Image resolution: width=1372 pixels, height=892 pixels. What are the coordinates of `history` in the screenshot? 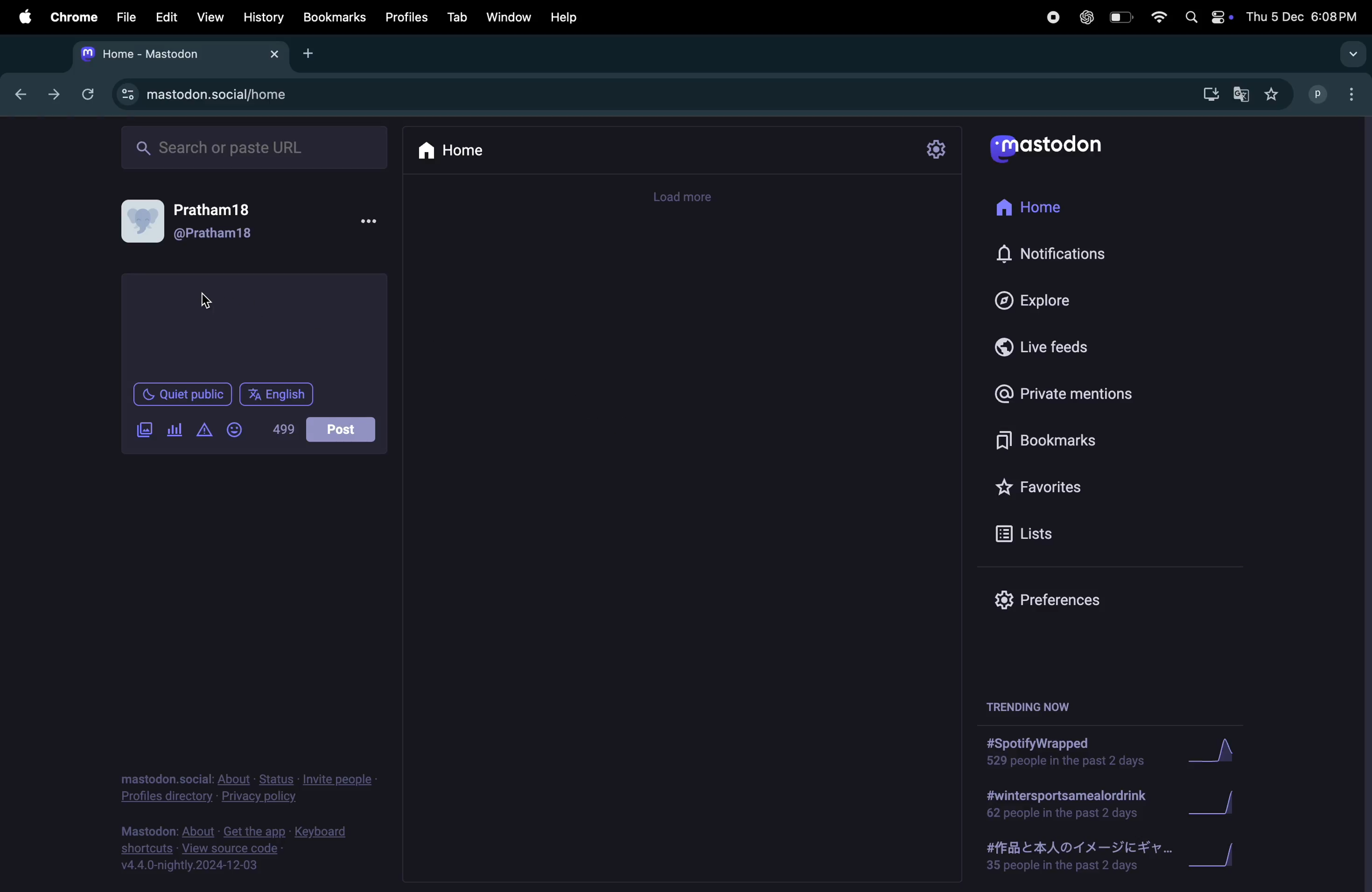 It's located at (265, 18).